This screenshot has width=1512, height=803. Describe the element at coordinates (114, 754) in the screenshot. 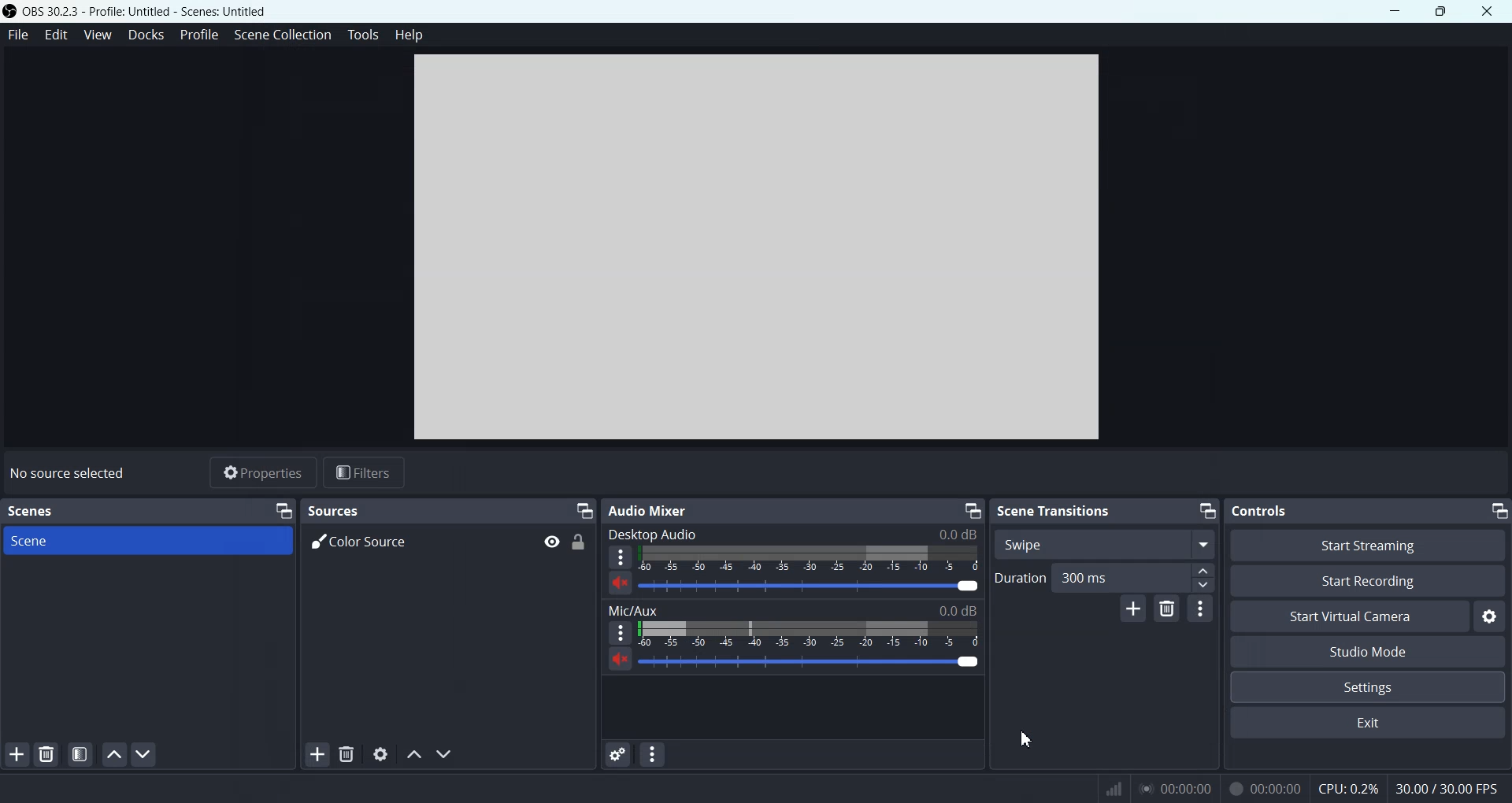

I see `Move scene up` at that location.